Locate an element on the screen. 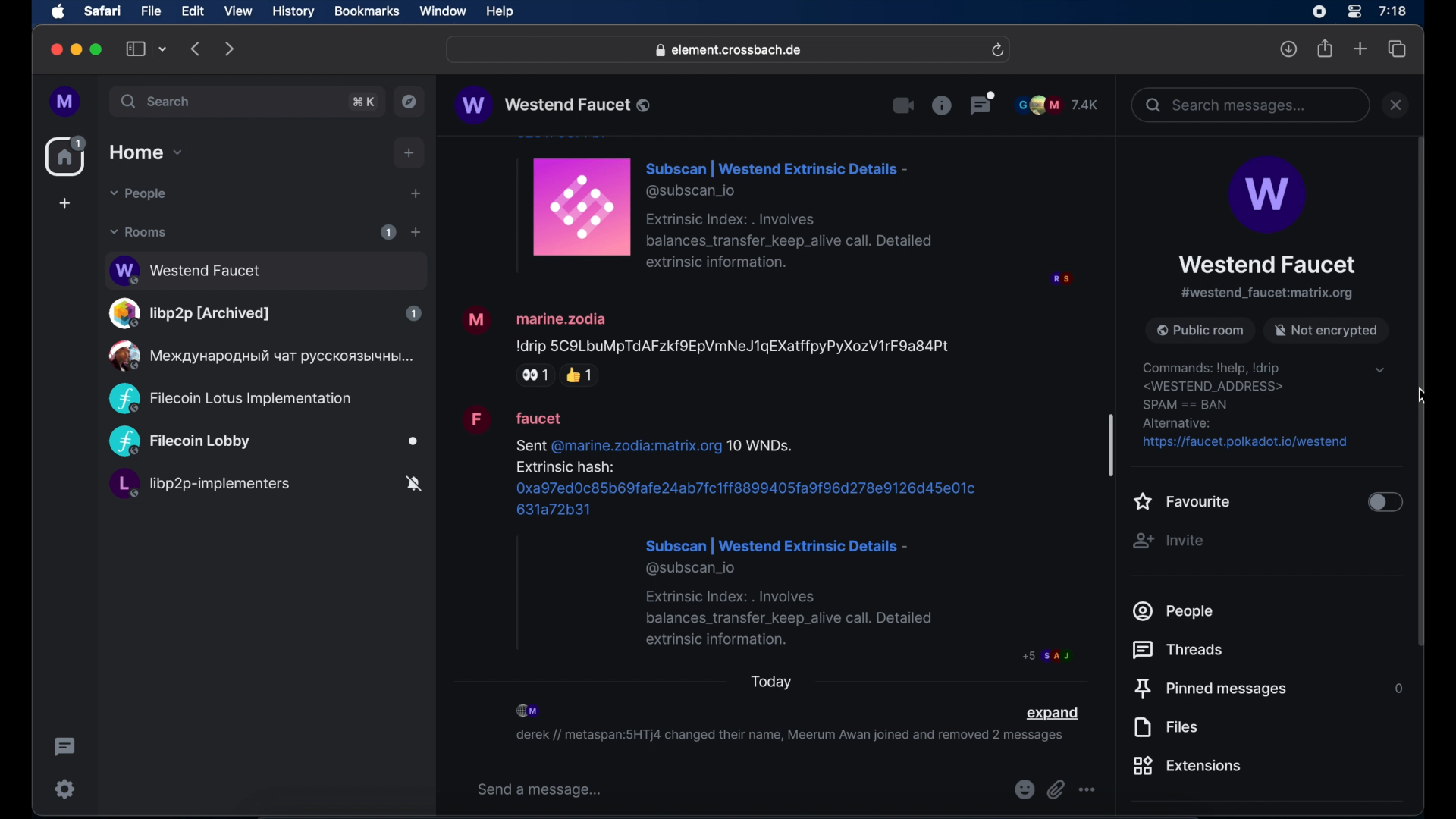 The width and height of the screenshot is (1456, 819). close is located at coordinates (55, 50).